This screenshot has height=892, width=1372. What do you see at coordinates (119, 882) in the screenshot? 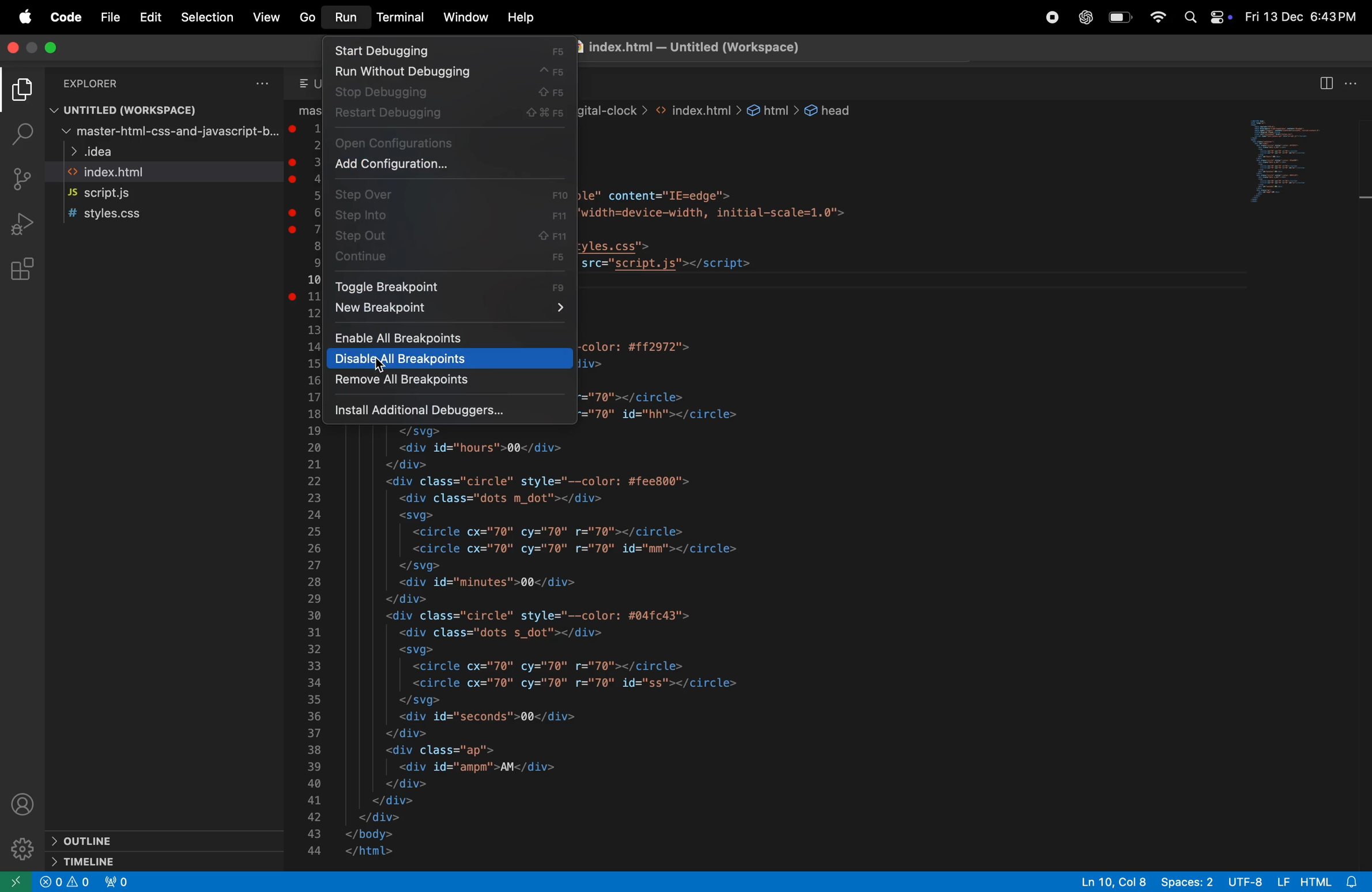
I see `no forwarded` at bounding box center [119, 882].